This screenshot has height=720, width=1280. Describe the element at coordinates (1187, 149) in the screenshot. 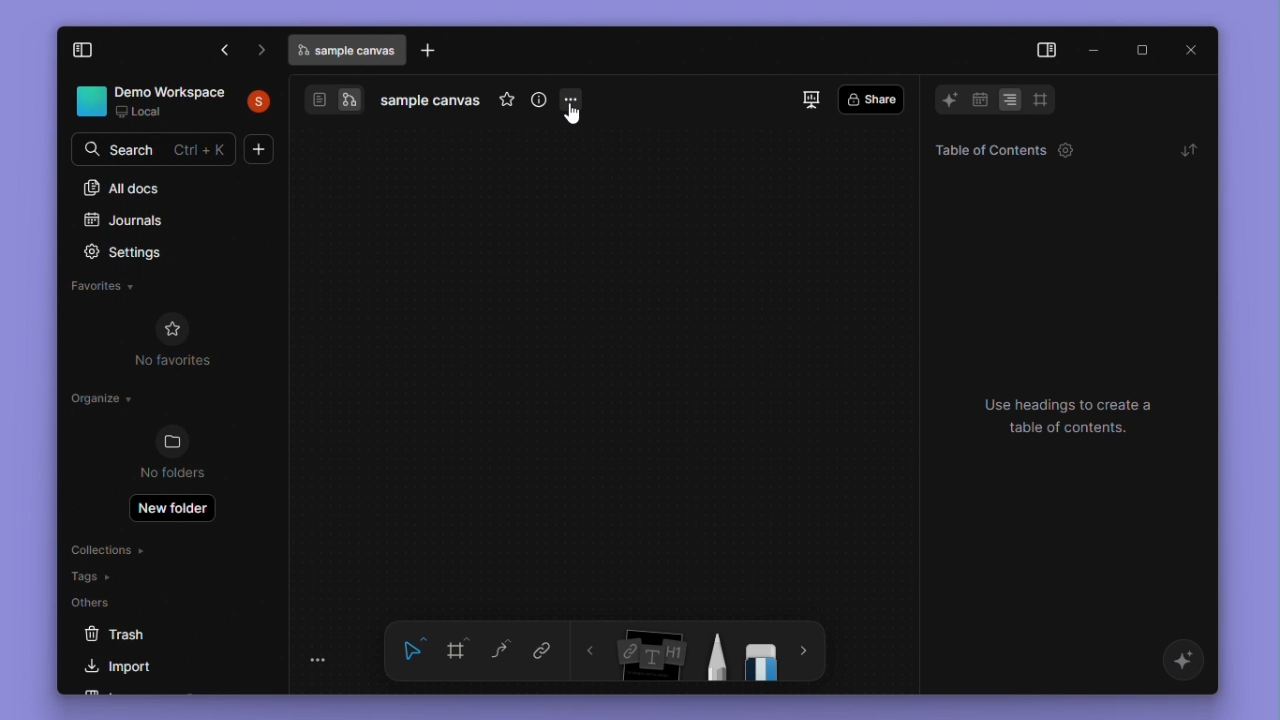

I see `arrange` at that location.